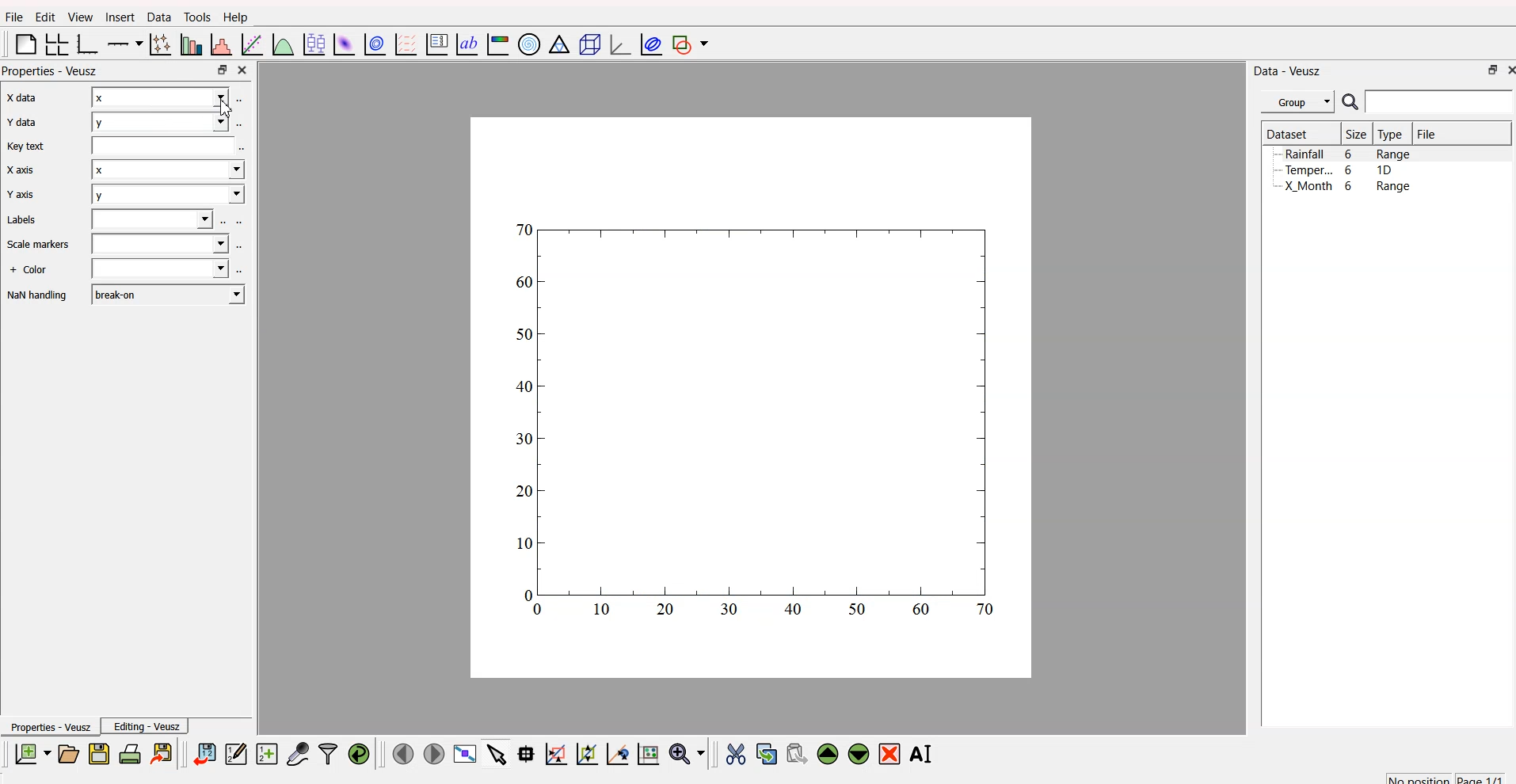 This screenshot has height=784, width=1516. What do you see at coordinates (30, 271) in the screenshot?
I see `+ Color` at bounding box center [30, 271].